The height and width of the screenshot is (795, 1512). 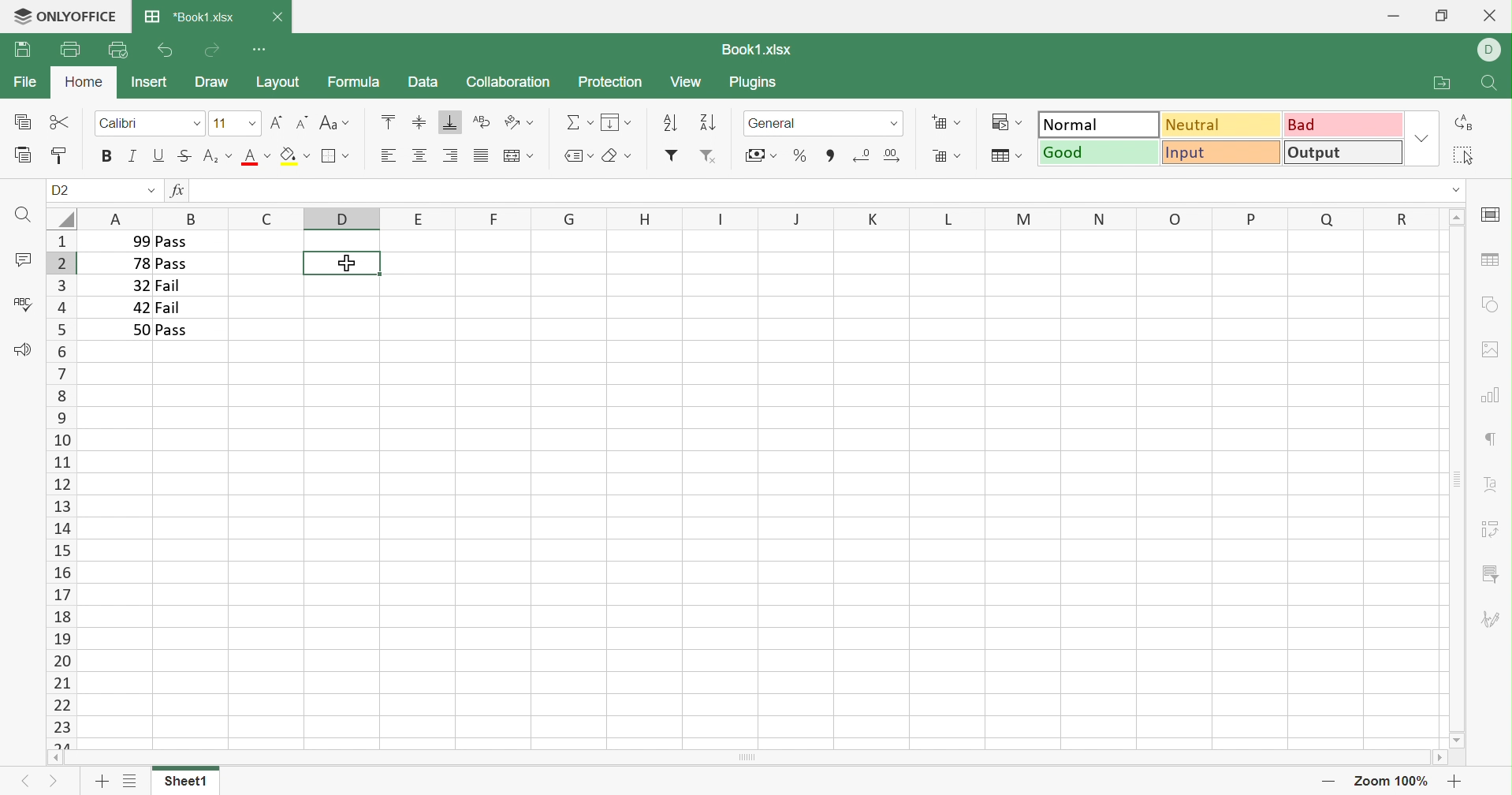 I want to click on Italic, so click(x=134, y=156).